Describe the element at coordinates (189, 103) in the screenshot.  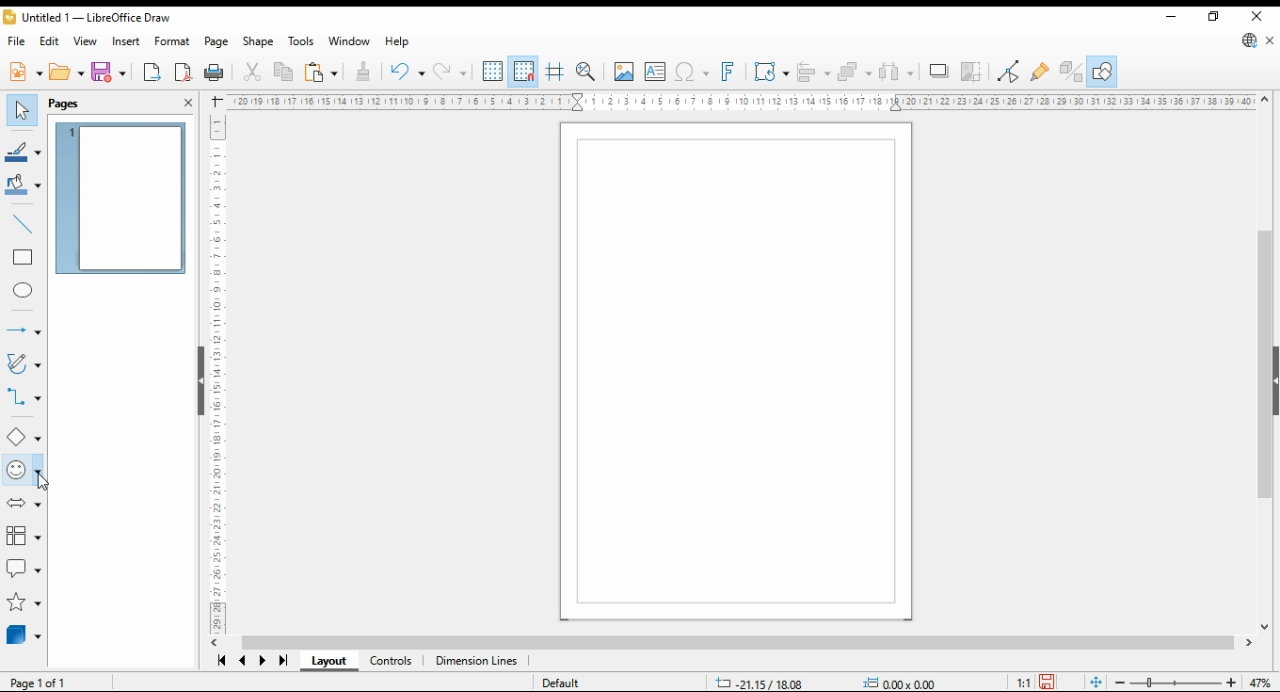
I see `close pane` at that location.